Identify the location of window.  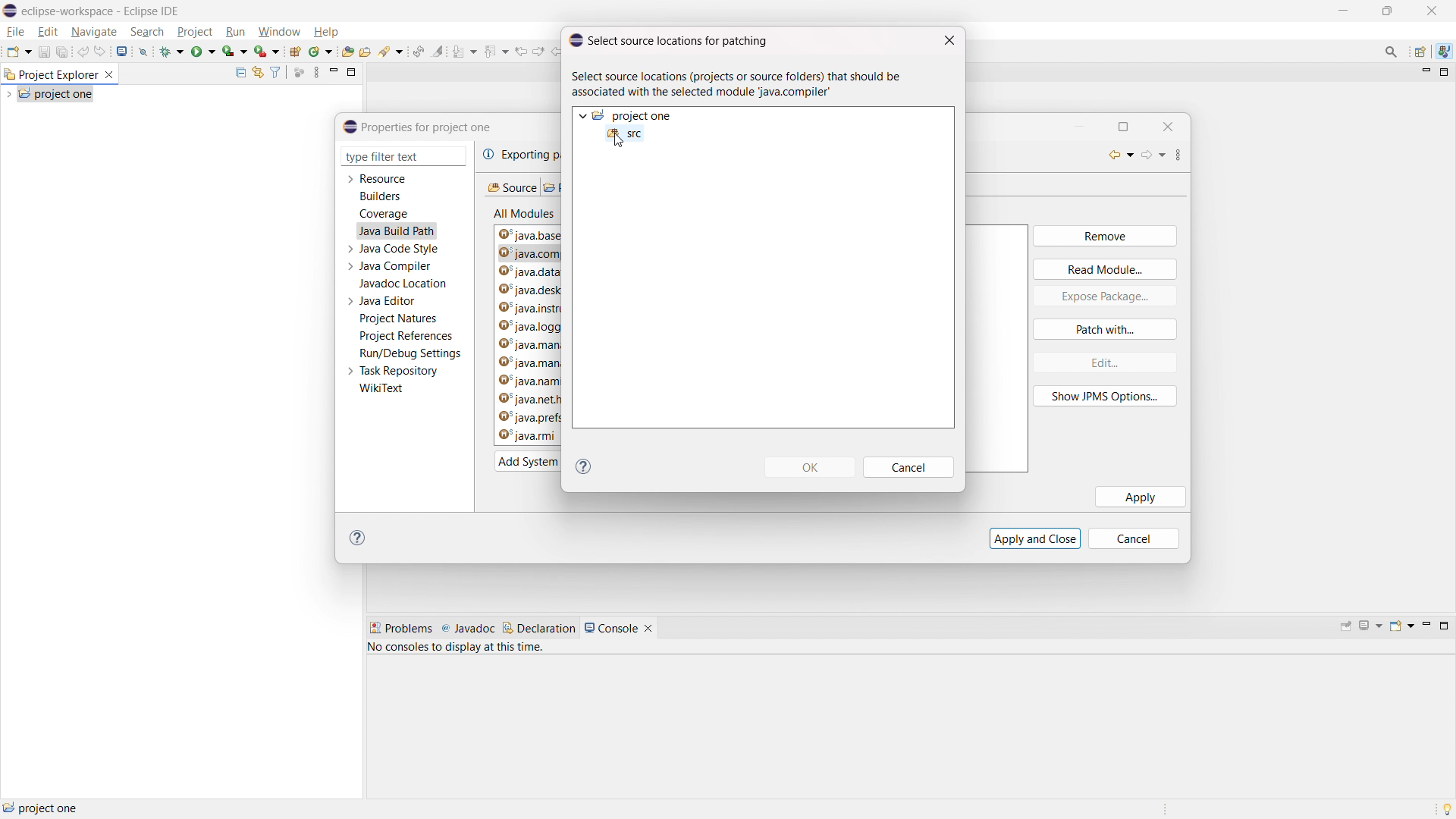
(278, 33).